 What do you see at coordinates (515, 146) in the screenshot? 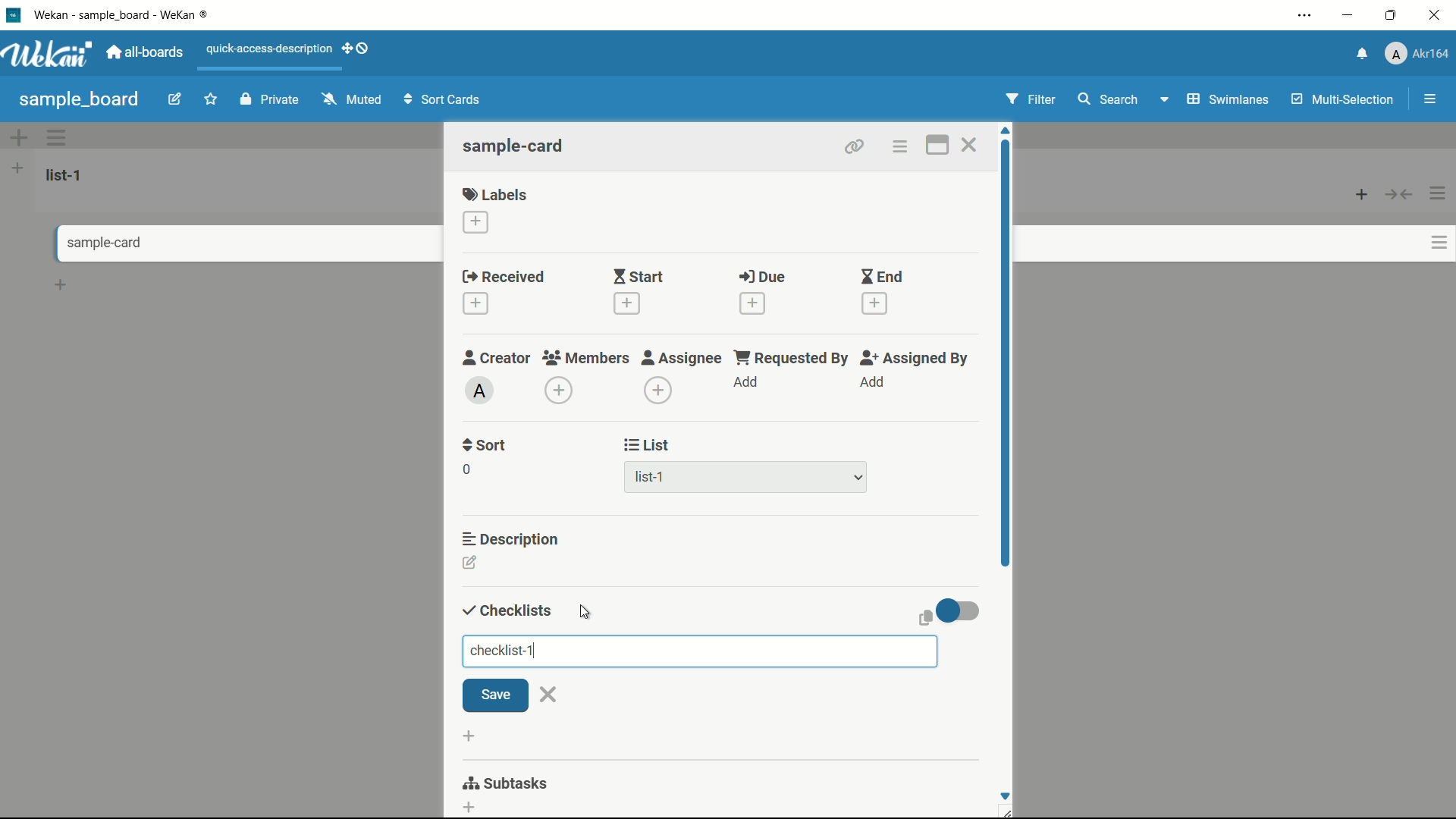
I see `card name` at bounding box center [515, 146].